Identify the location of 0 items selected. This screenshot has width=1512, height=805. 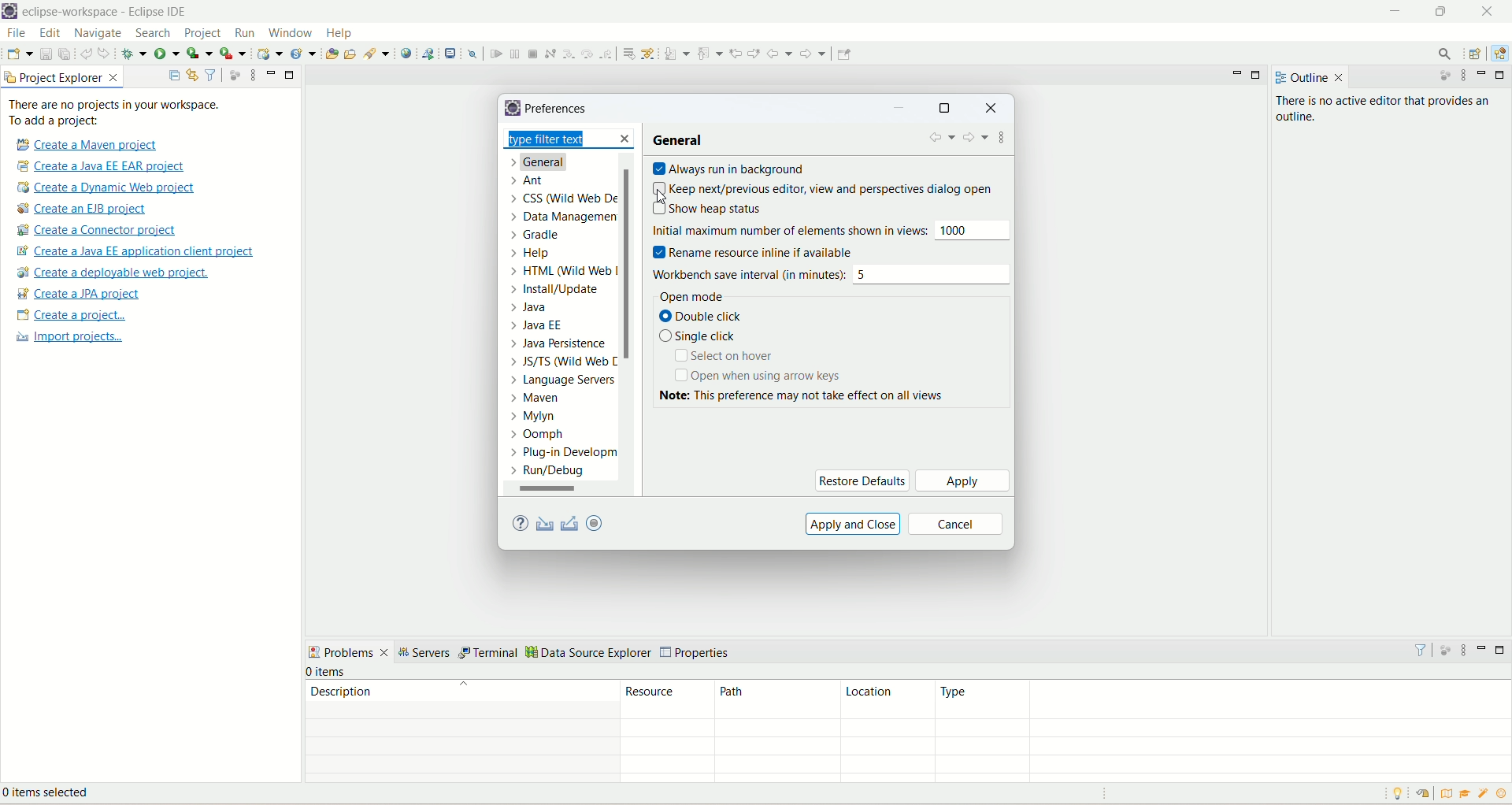
(57, 795).